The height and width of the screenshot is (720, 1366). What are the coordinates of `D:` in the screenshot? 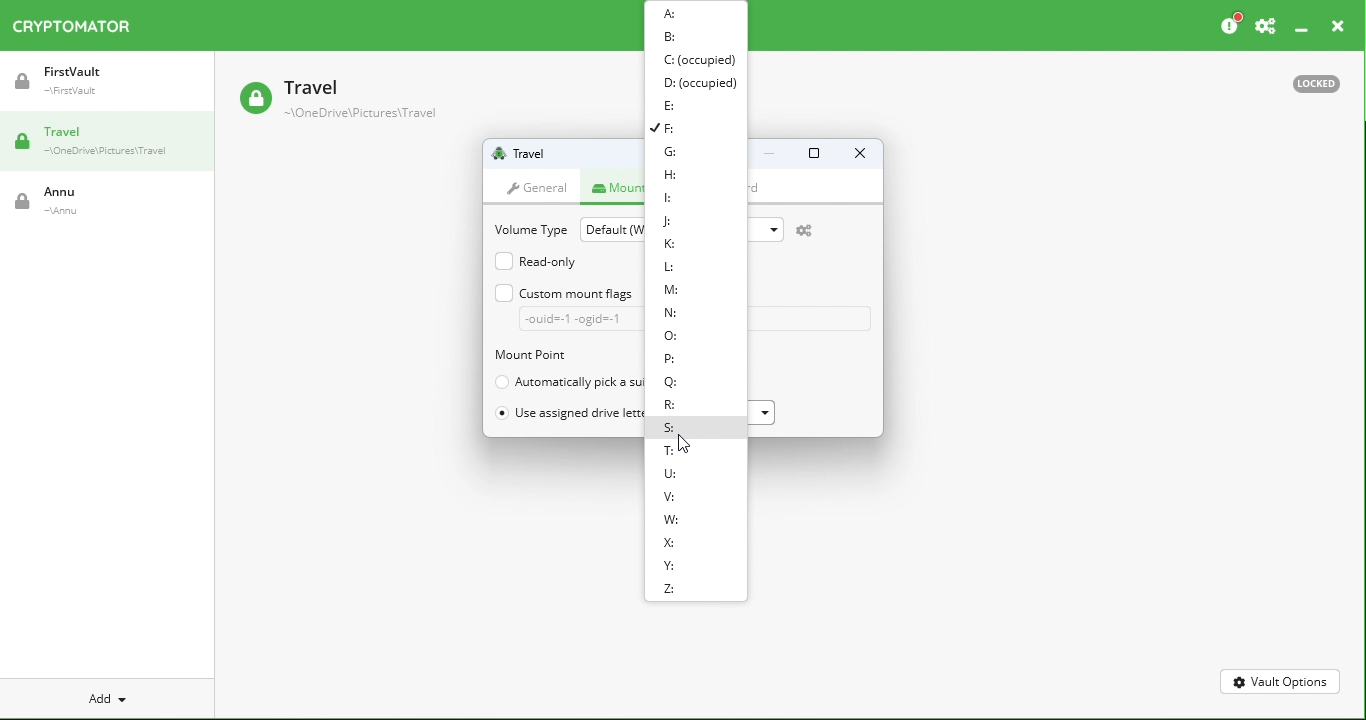 It's located at (697, 82).